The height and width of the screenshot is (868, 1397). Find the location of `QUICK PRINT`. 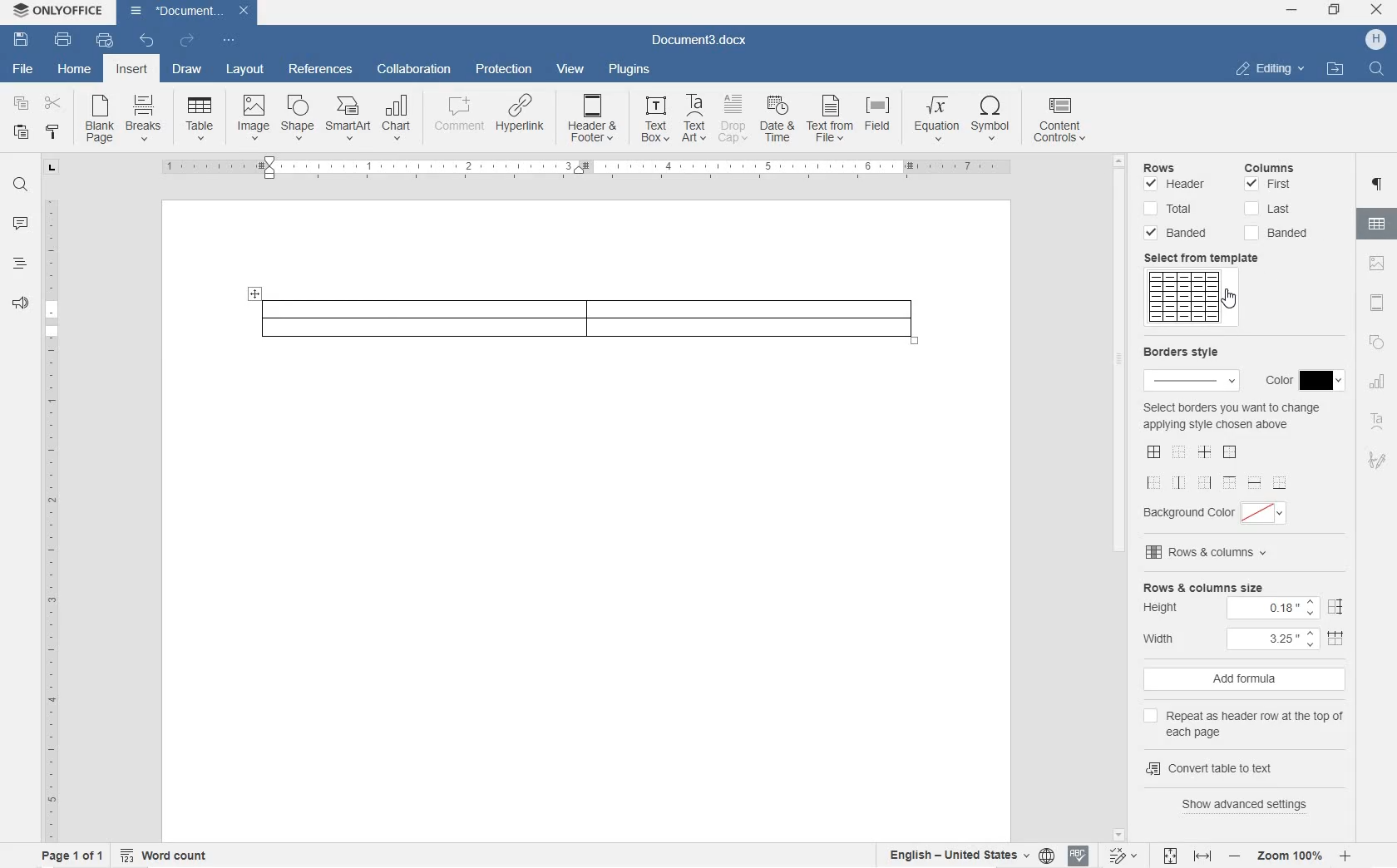

QUICK PRINT is located at coordinates (103, 42).